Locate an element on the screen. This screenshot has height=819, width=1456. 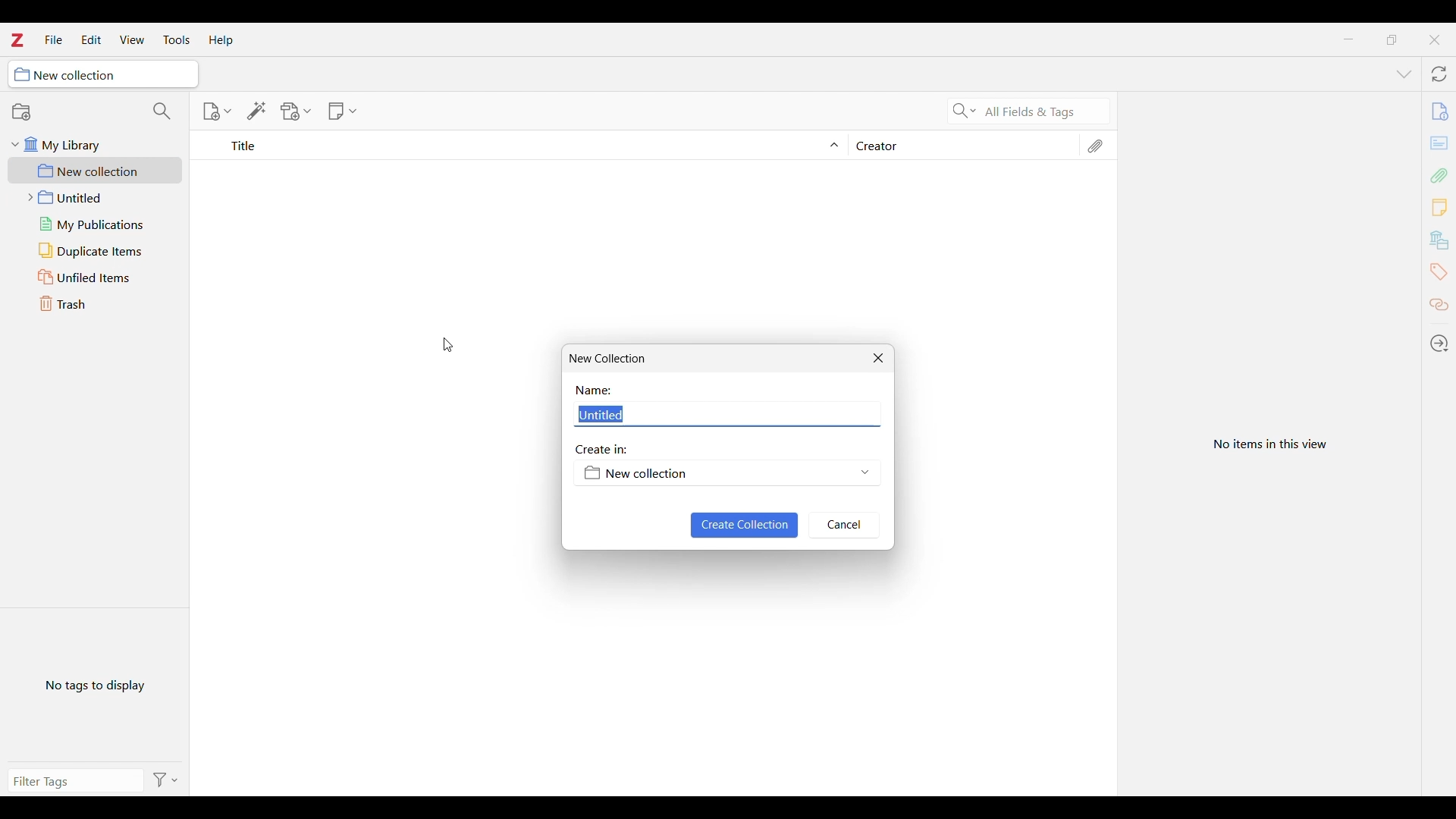
Software logo is located at coordinates (17, 40).